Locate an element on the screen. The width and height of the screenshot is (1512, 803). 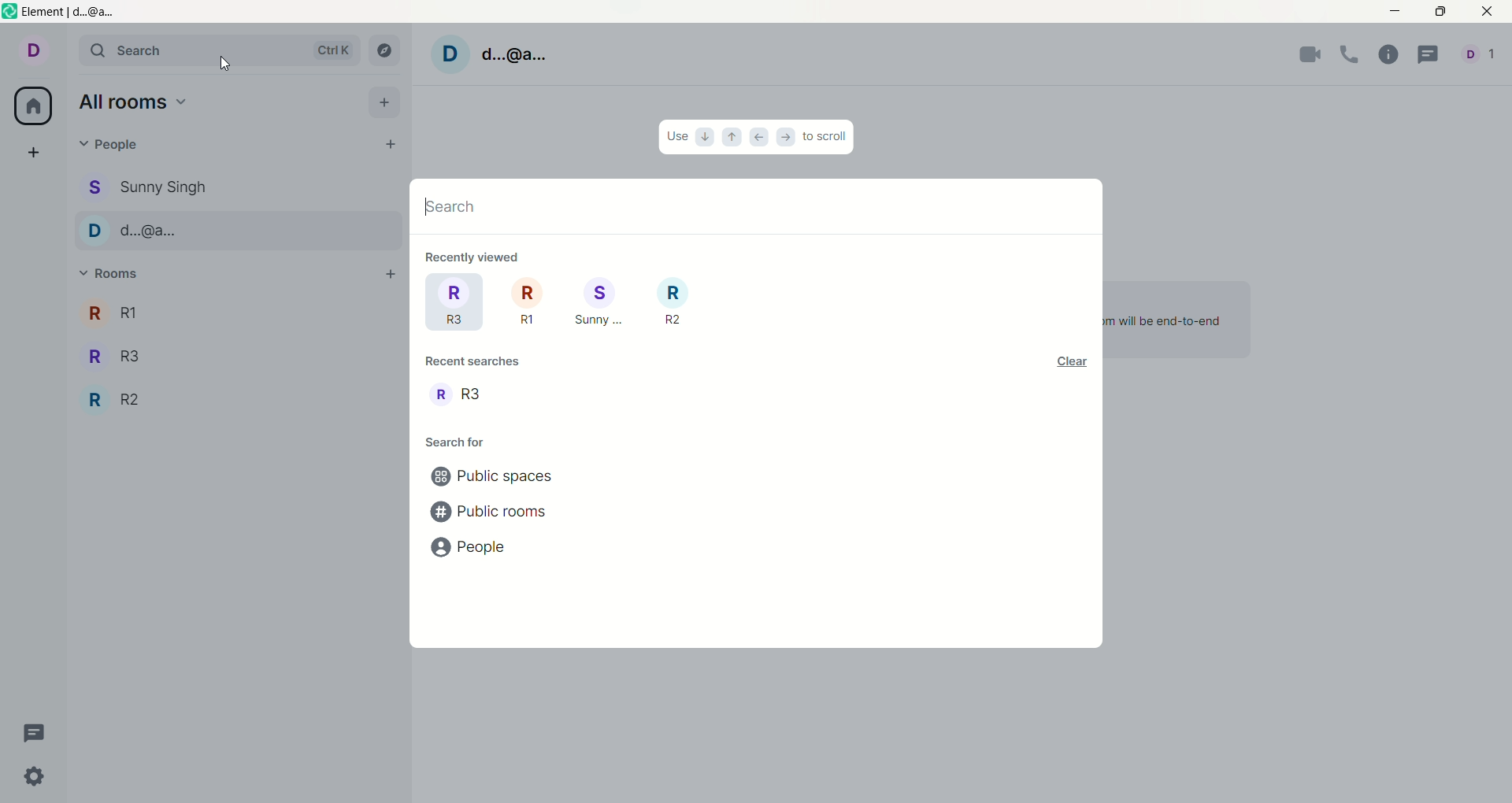
R1 is located at coordinates (108, 314).